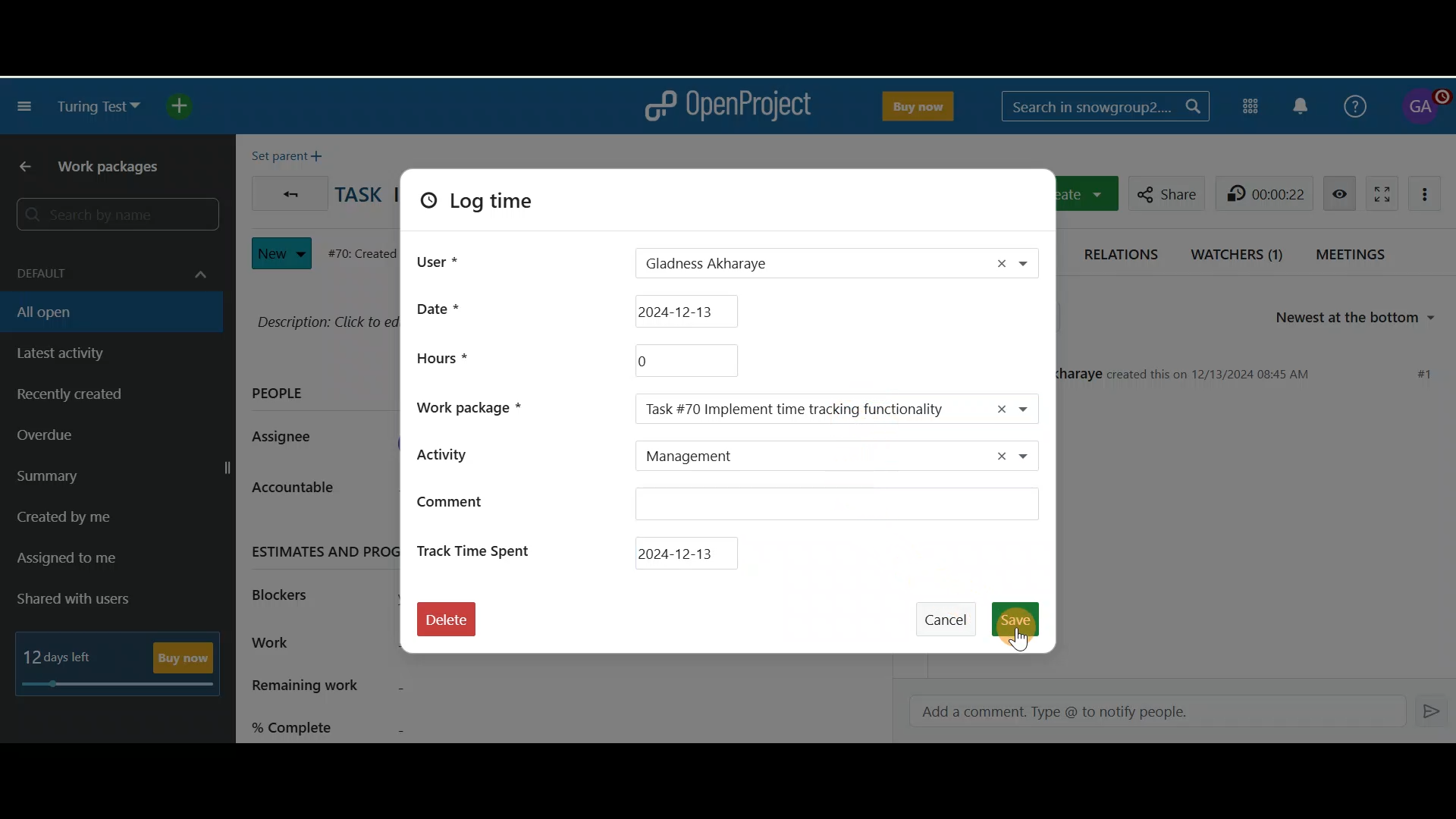 The width and height of the screenshot is (1456, 819). Describe the element at coordinates (950, 613) in the screenshot. I see `Cancel` at that location.